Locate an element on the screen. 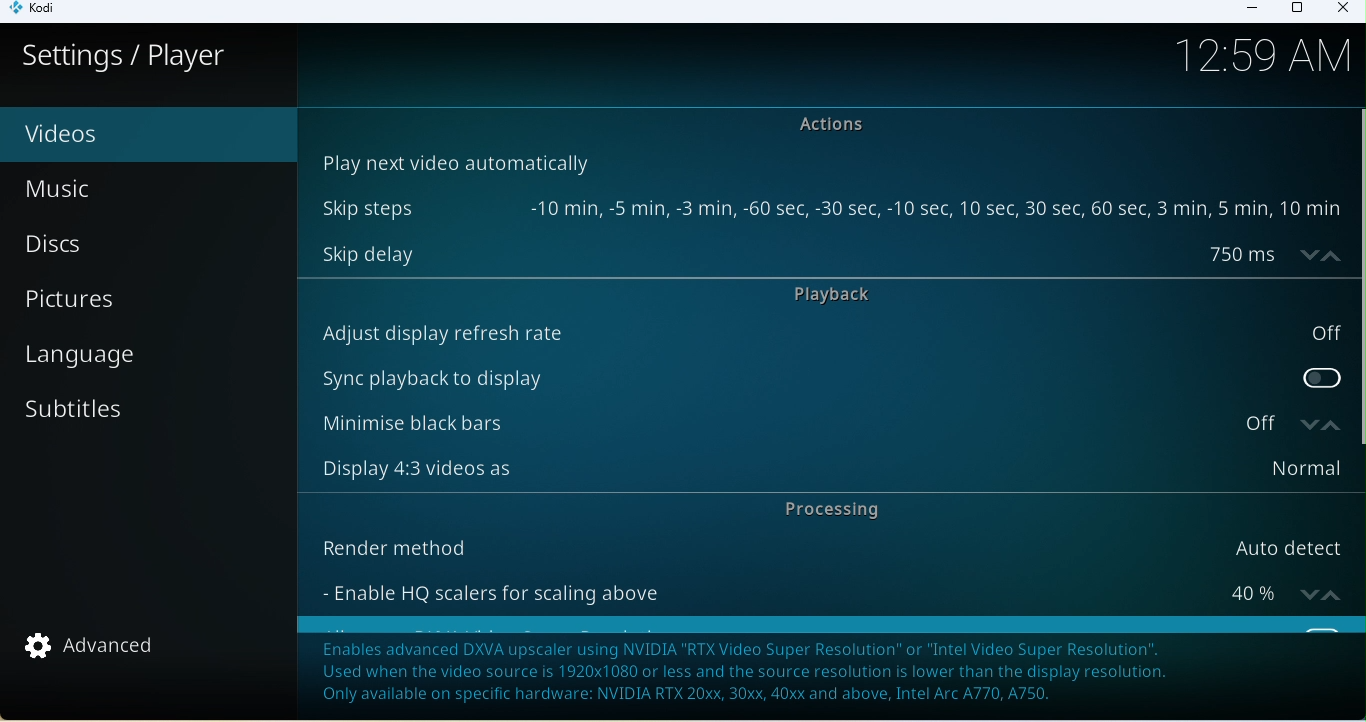  increase/decrease is located at coordinates (1315, 254).